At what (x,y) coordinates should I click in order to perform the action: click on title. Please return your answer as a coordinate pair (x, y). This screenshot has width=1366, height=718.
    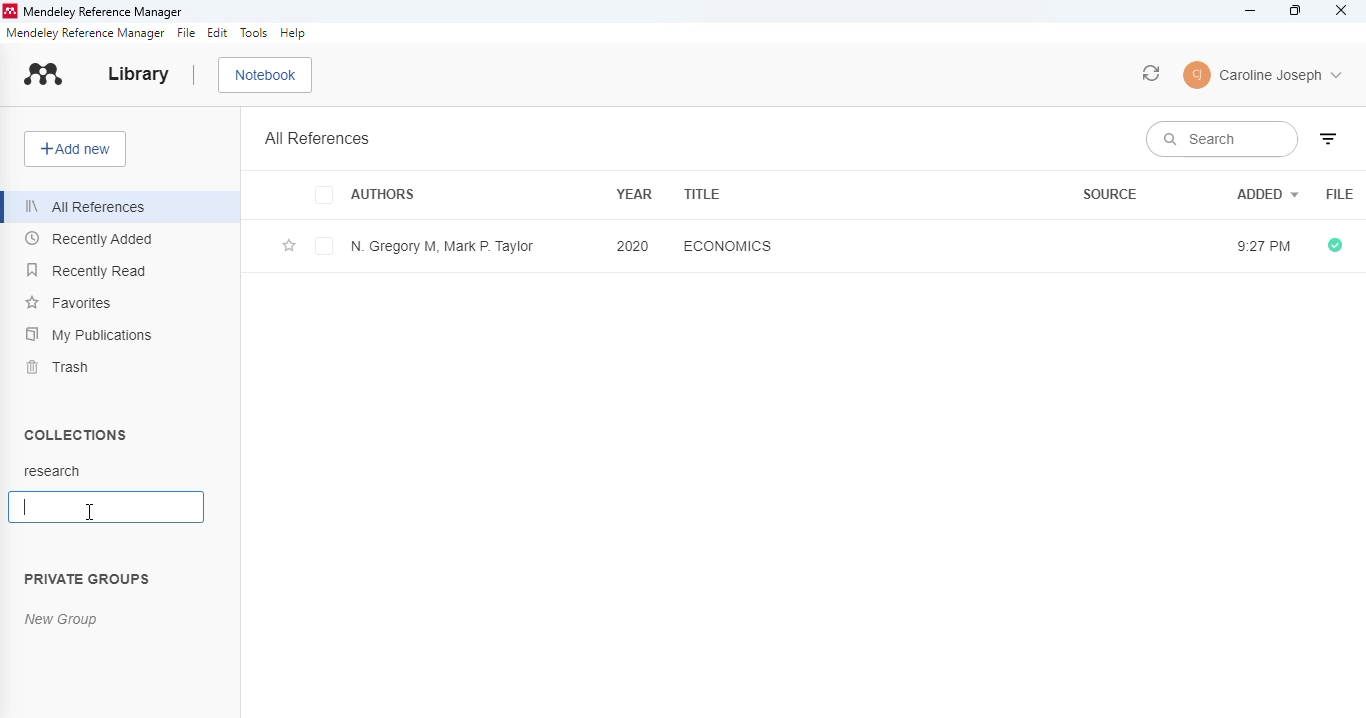
    Looking at the image, I should click on (703, 194).